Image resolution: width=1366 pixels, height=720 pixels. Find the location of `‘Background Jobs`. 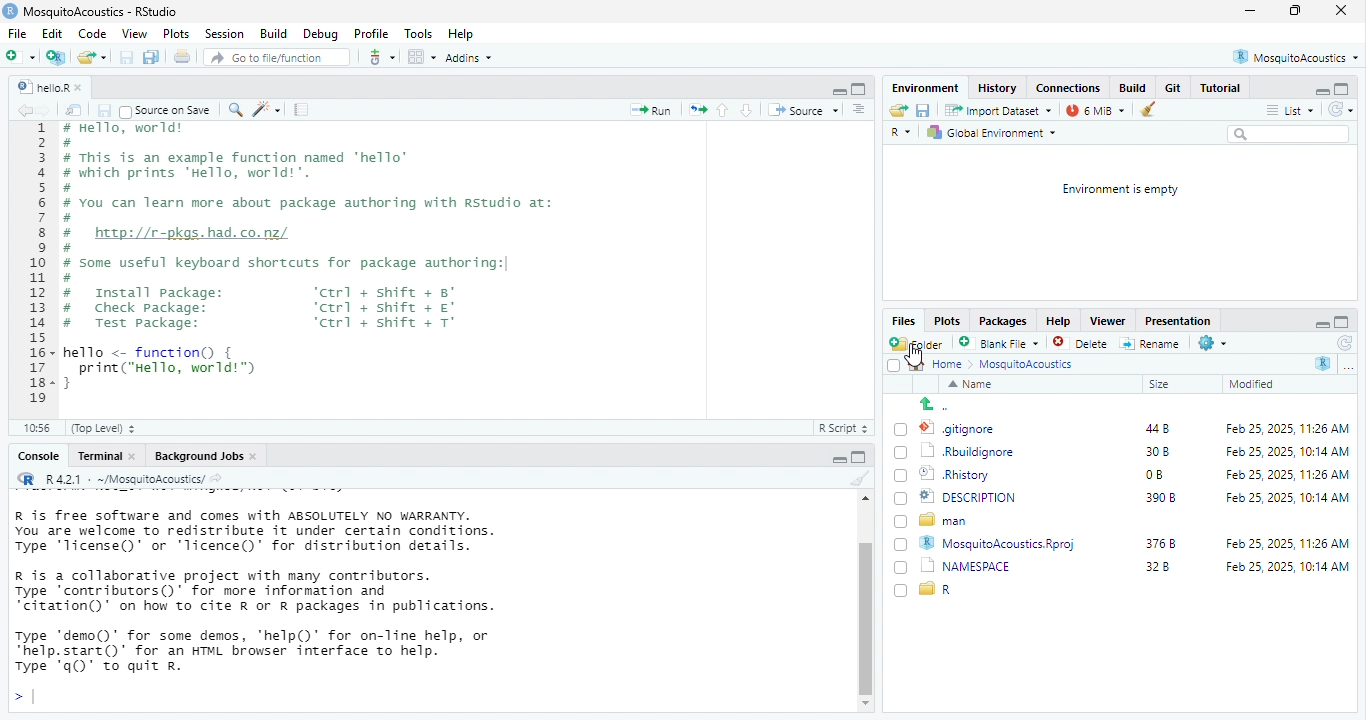

‘Background Jobs is located at coordinates (198, 456).